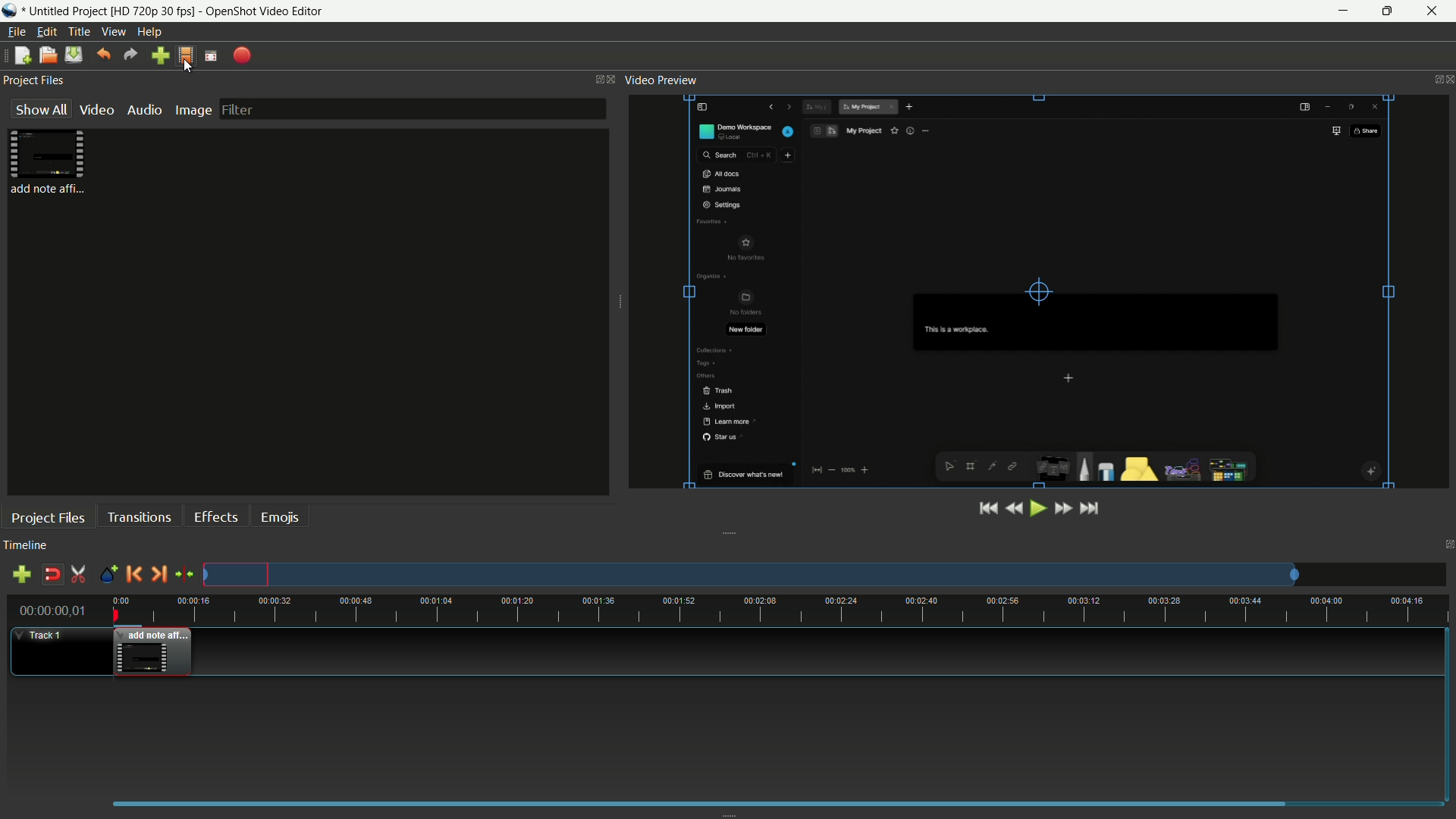 The height and width of the screenshot is (819, 1456). I want to click on image, so click(192, 111).